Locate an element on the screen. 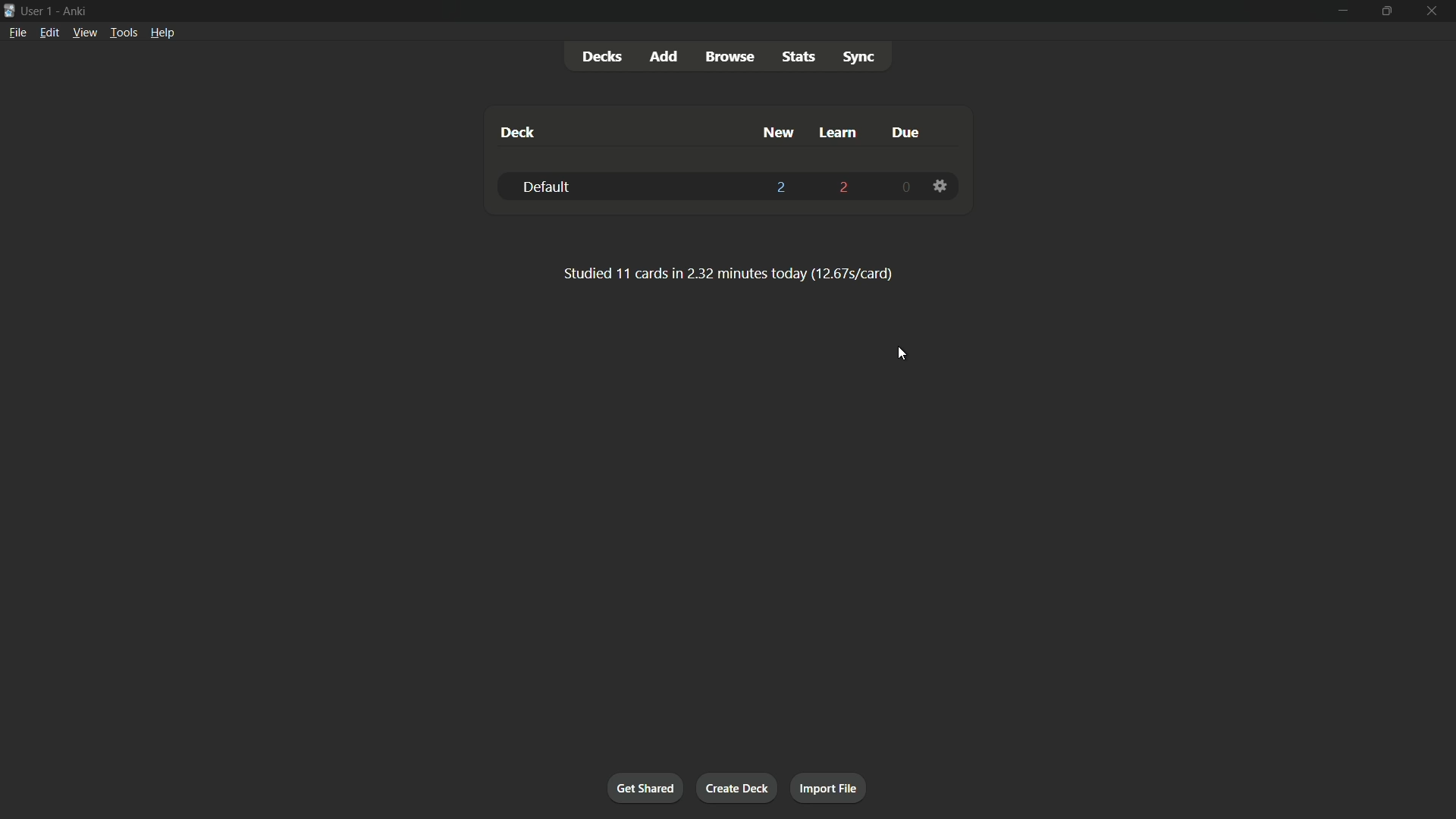 Image resolution: width=1456 pixels, height=819 pixels. sync is located at coordinates (861, 58).